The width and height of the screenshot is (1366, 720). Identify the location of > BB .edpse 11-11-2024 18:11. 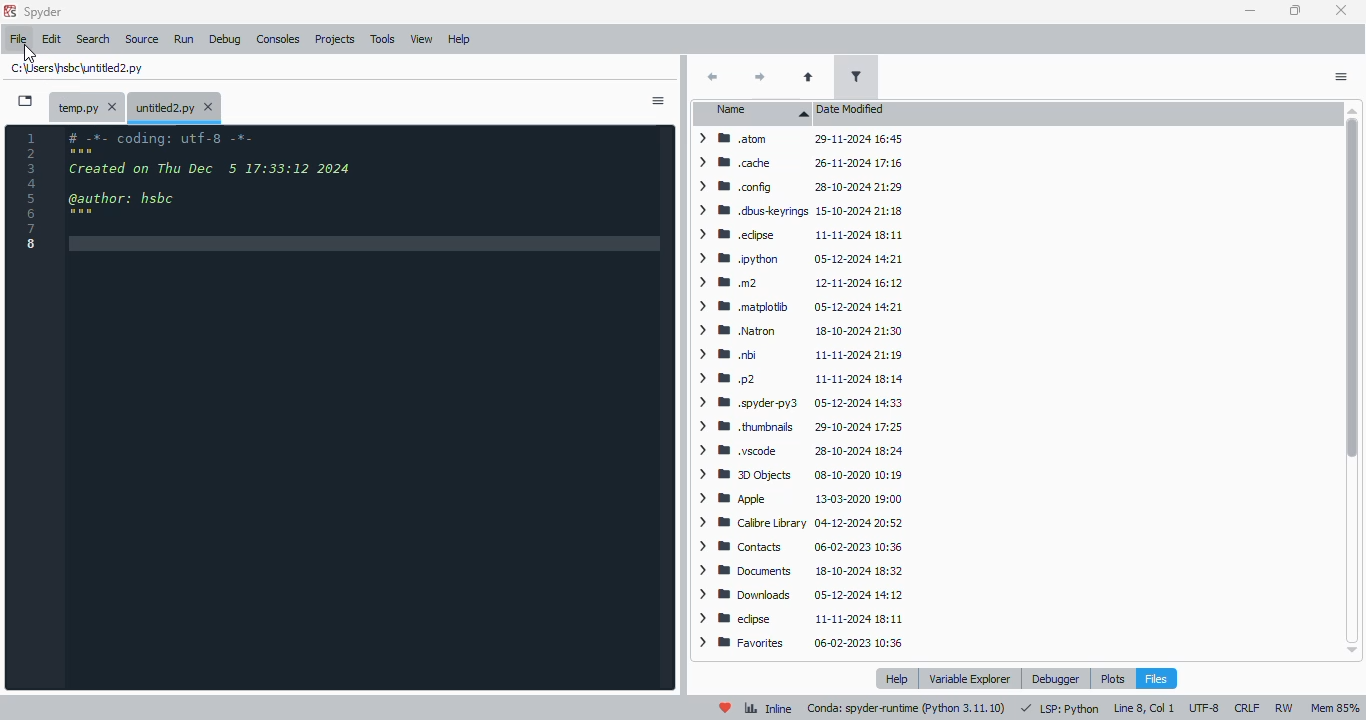
(801, 233).